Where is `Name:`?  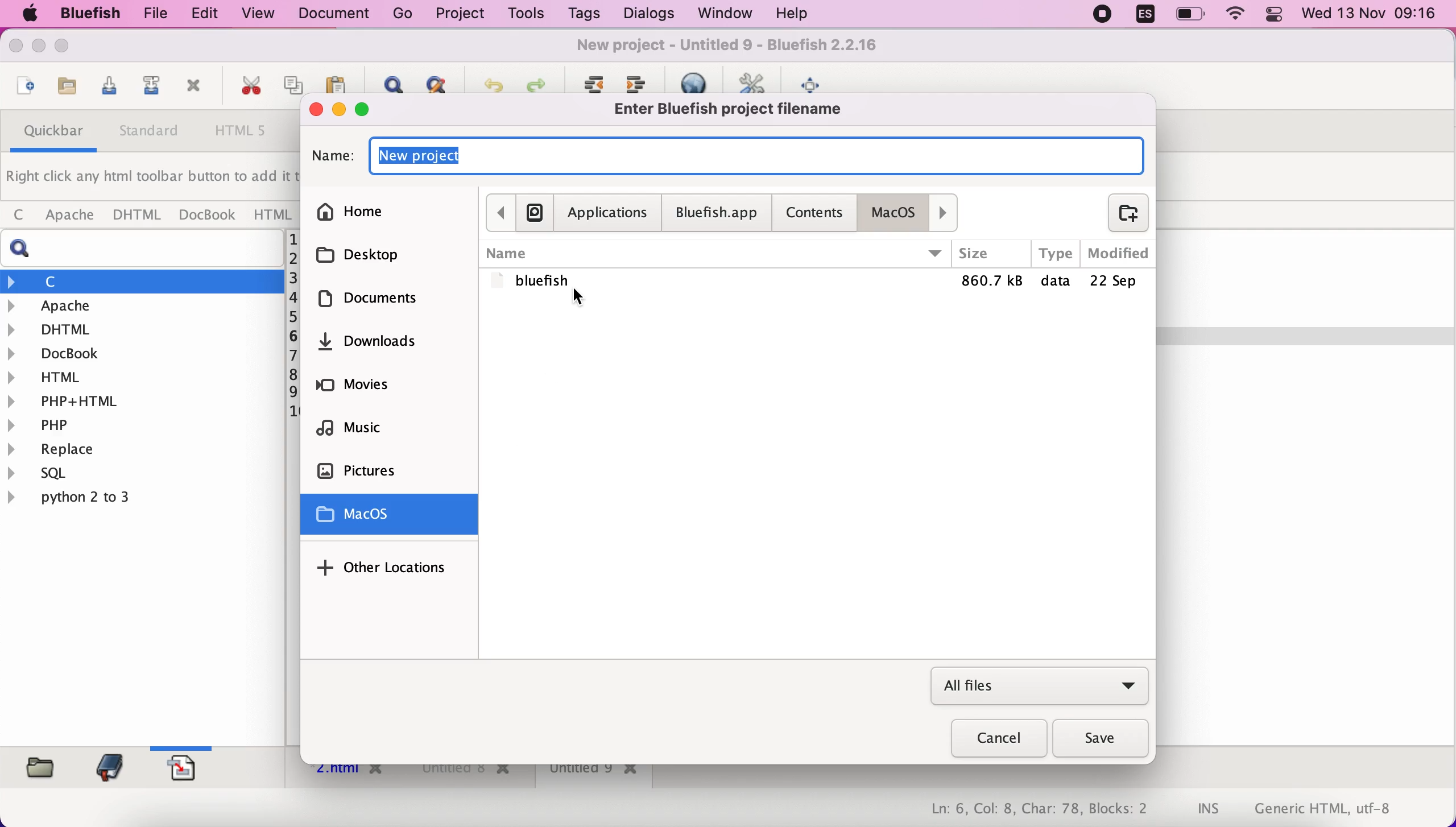 Name: is located at coordinates (331, 156).